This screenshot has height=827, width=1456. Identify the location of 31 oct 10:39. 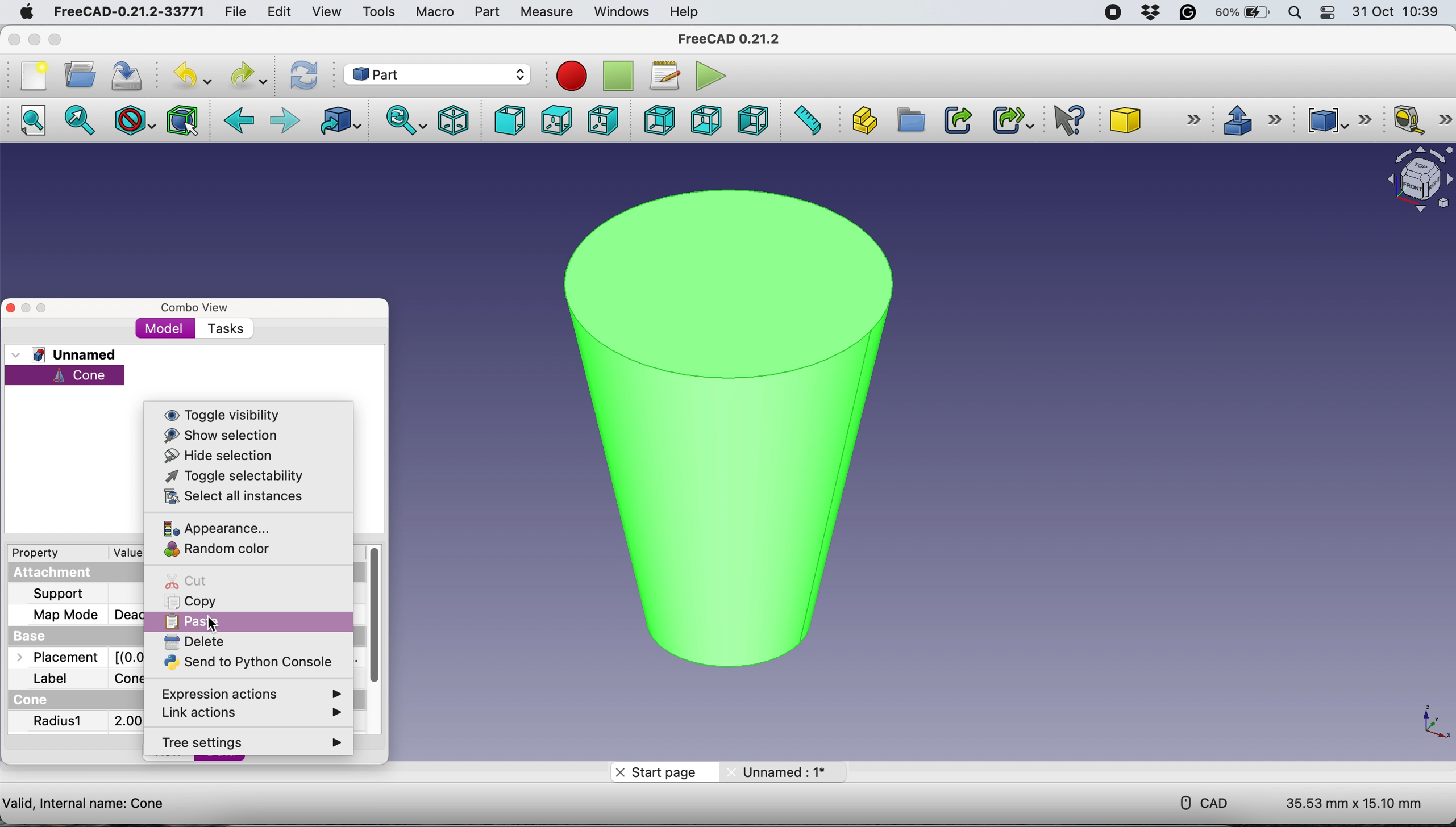
(1401, 12).